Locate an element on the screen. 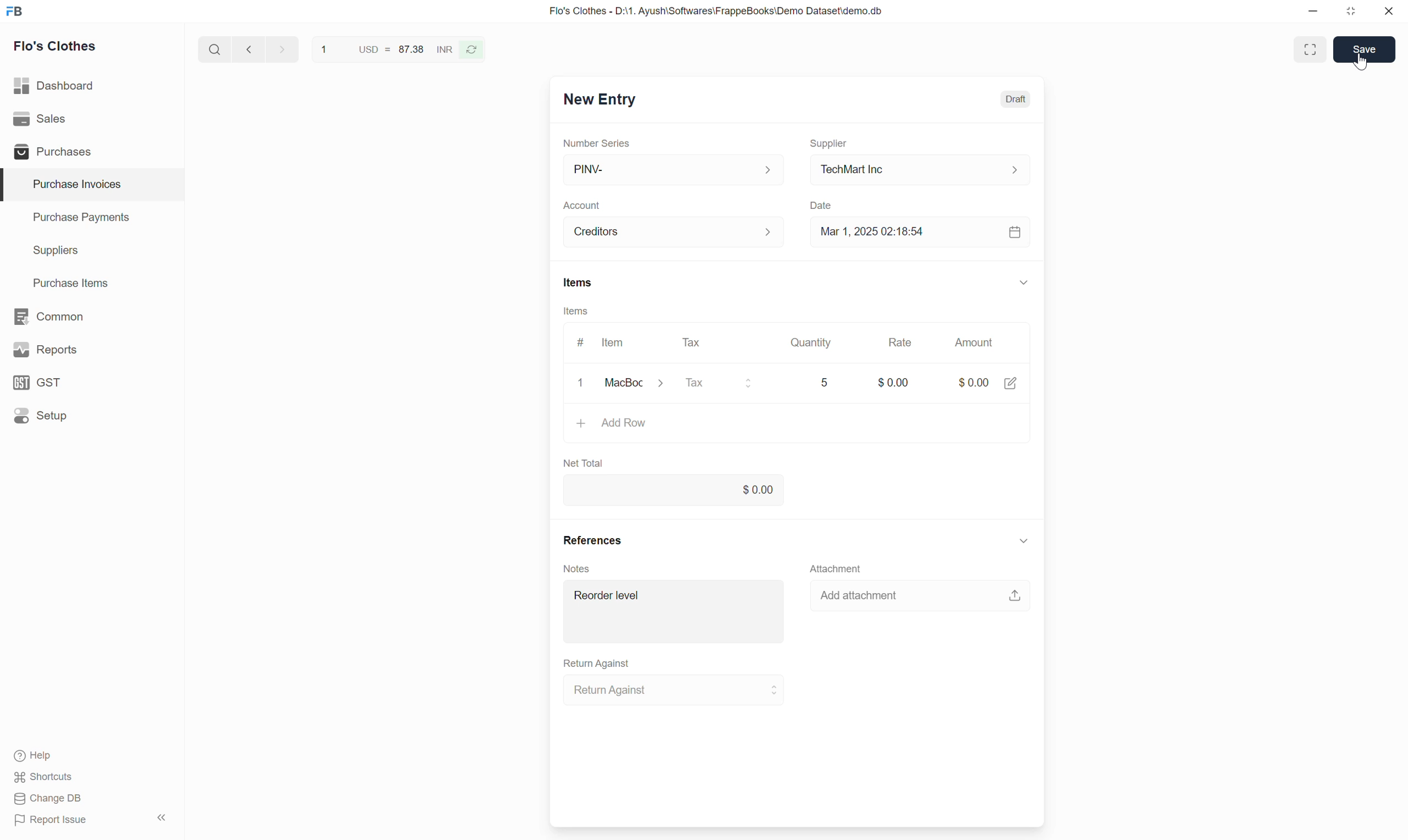 Image resolution: width=1408 pixels, height=840 pixels. Toggle between form and full width is located at coordinates (1309, 49).